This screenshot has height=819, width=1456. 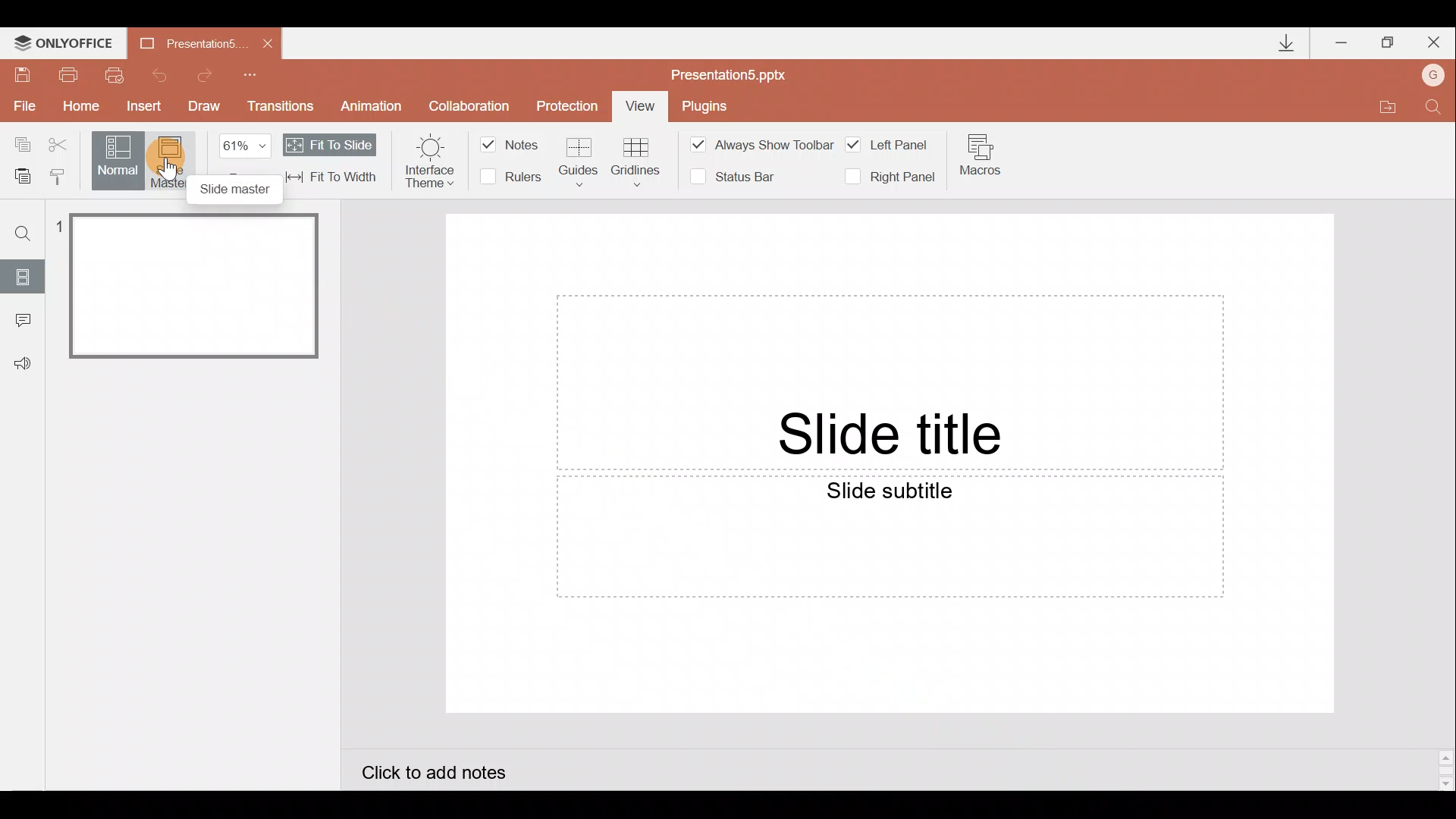 What do you see at coordinates (640, 106) in the screenshot?
I see `View` at bounding box center [640, 106].